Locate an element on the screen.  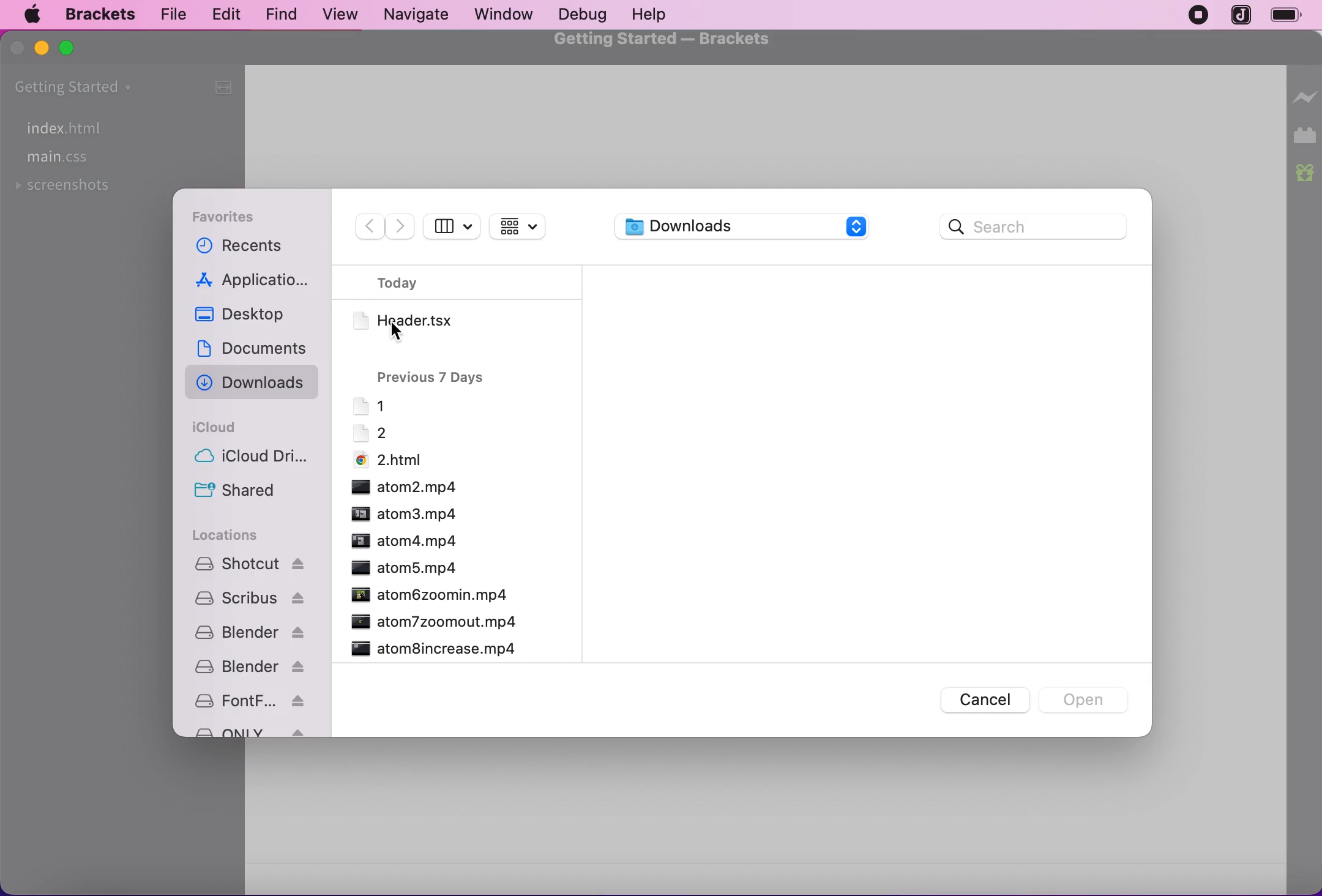
change the item grouping is located at coordinates (526, 225).